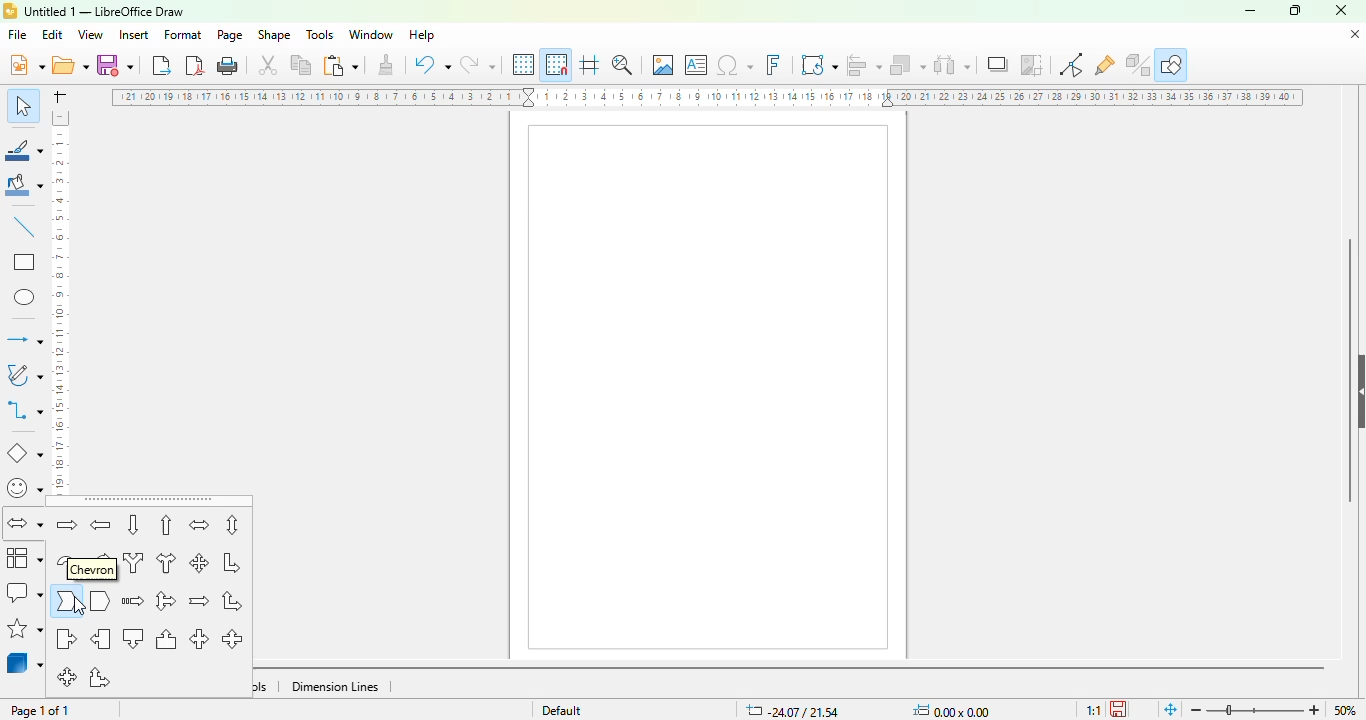 The image size is (1366, 720). I want to click on striped right arrow, so click(132, 600).